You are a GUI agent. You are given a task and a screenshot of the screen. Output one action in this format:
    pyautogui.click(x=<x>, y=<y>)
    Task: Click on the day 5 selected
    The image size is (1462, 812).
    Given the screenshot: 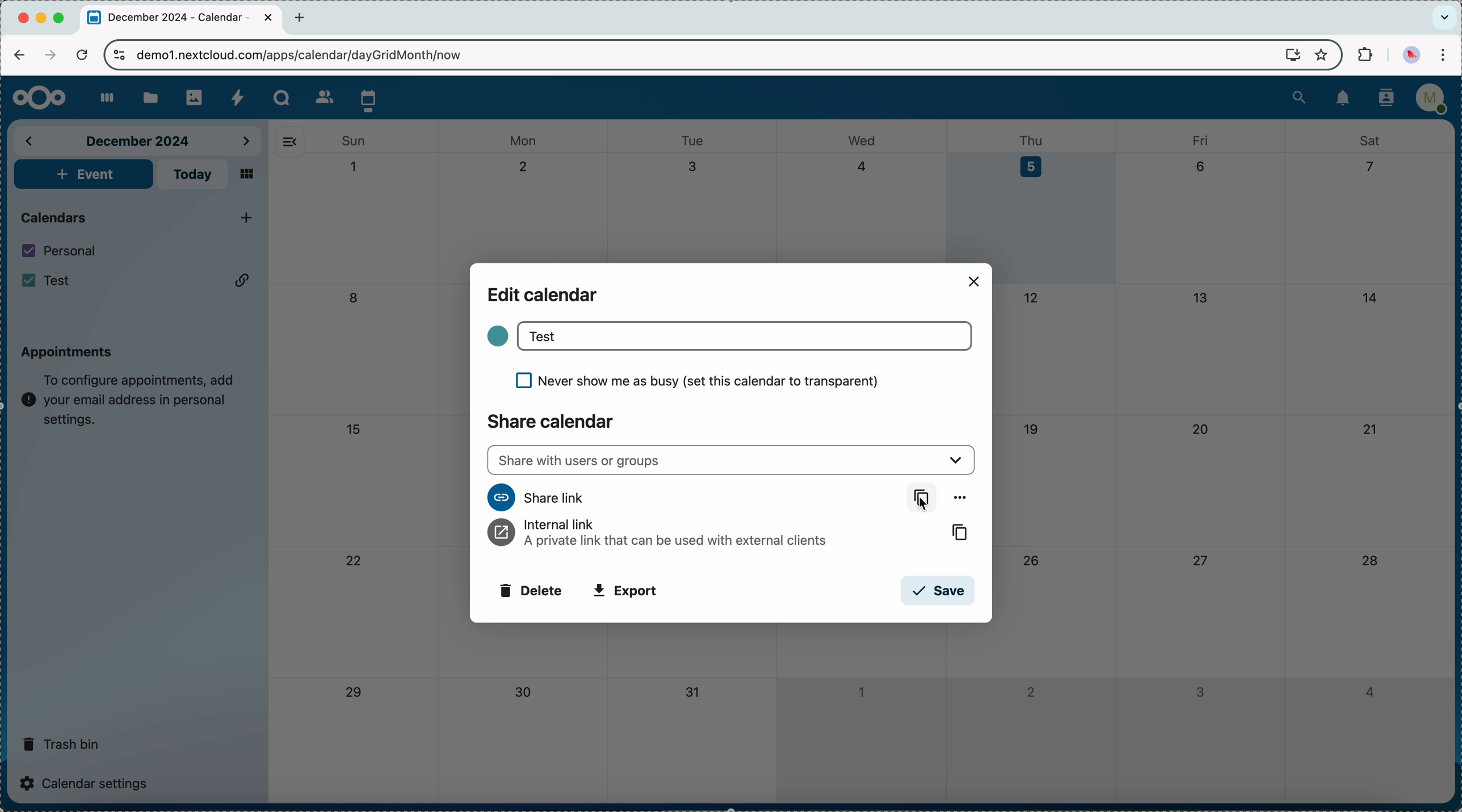 What is the action you would take?
    pyautogui.click(x=1034, y=207)
    